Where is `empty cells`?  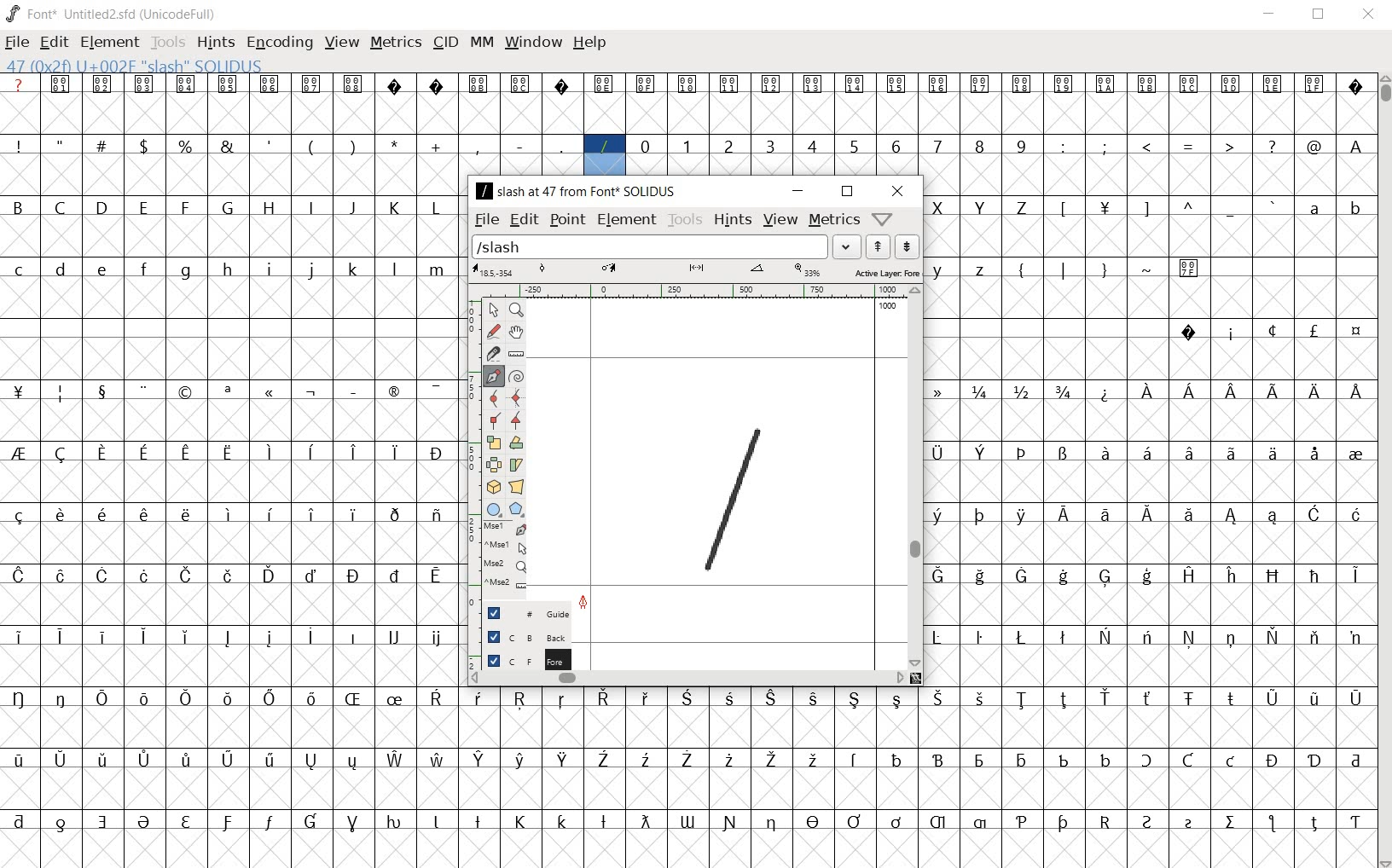
empty cells is located at coordinates (1151, 666).